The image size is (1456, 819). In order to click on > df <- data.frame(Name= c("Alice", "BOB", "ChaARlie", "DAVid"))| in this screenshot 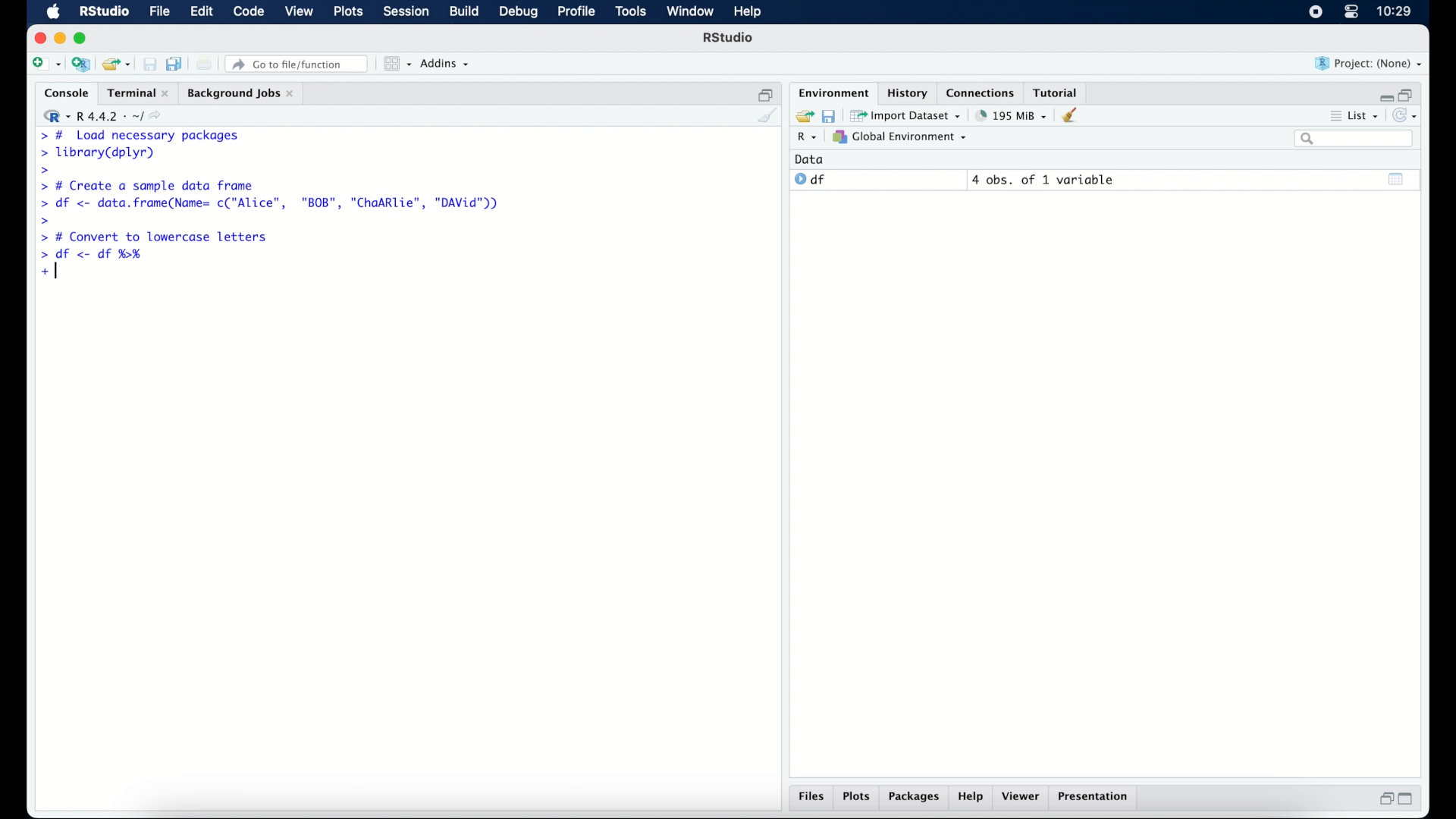, I will do `click(274, 204)`.